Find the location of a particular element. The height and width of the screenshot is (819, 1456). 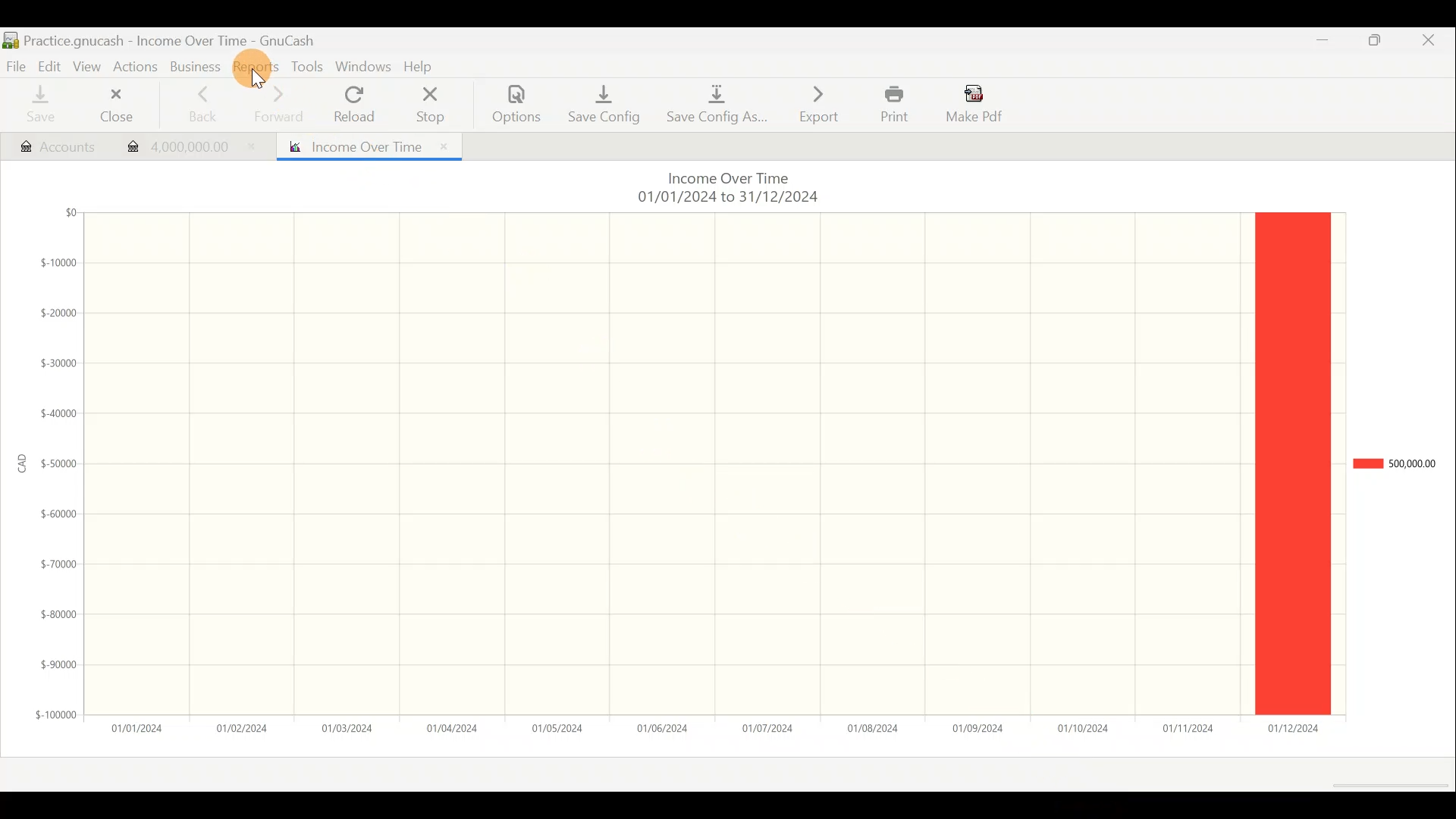

y-axis (amount in CAD) is located at coordinates (48, 465).